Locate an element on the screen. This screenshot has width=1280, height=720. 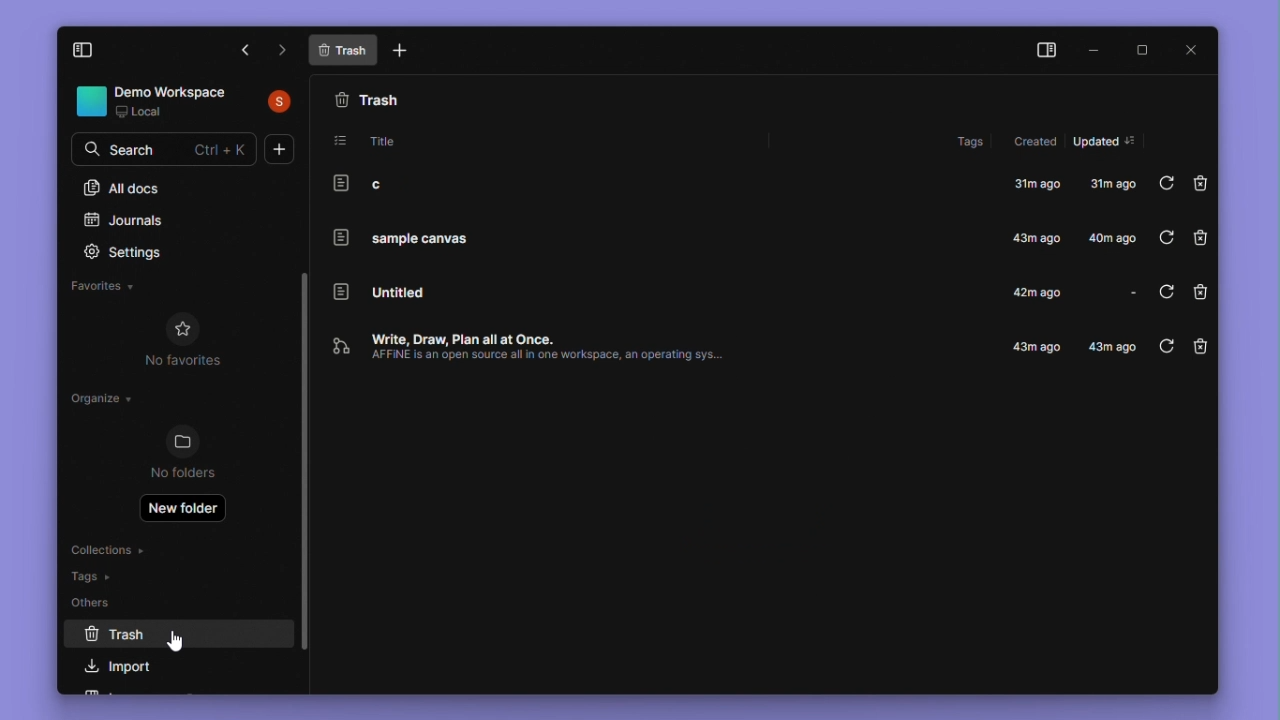
time created is located at coordinates (1040, 184).